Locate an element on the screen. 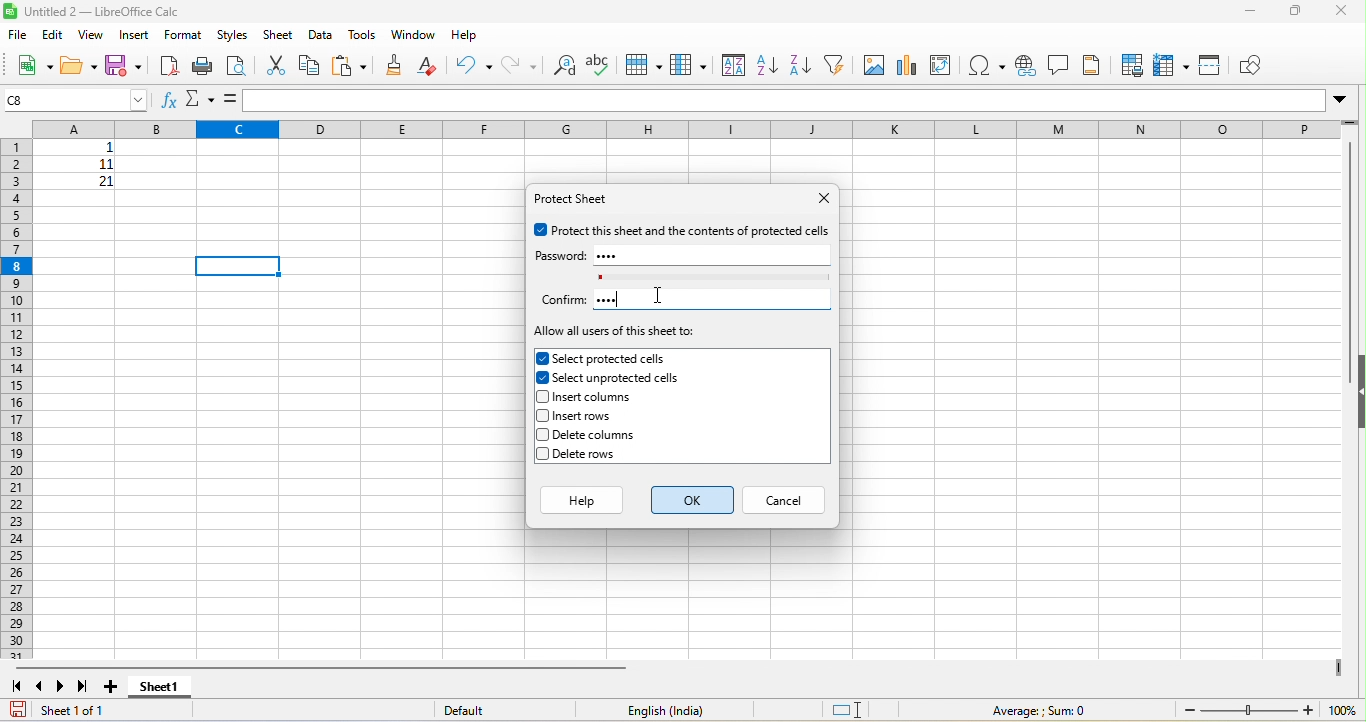 Image resolution: width=1366 pixels, height=722 pixels. help is located at coordinates (471, 35).